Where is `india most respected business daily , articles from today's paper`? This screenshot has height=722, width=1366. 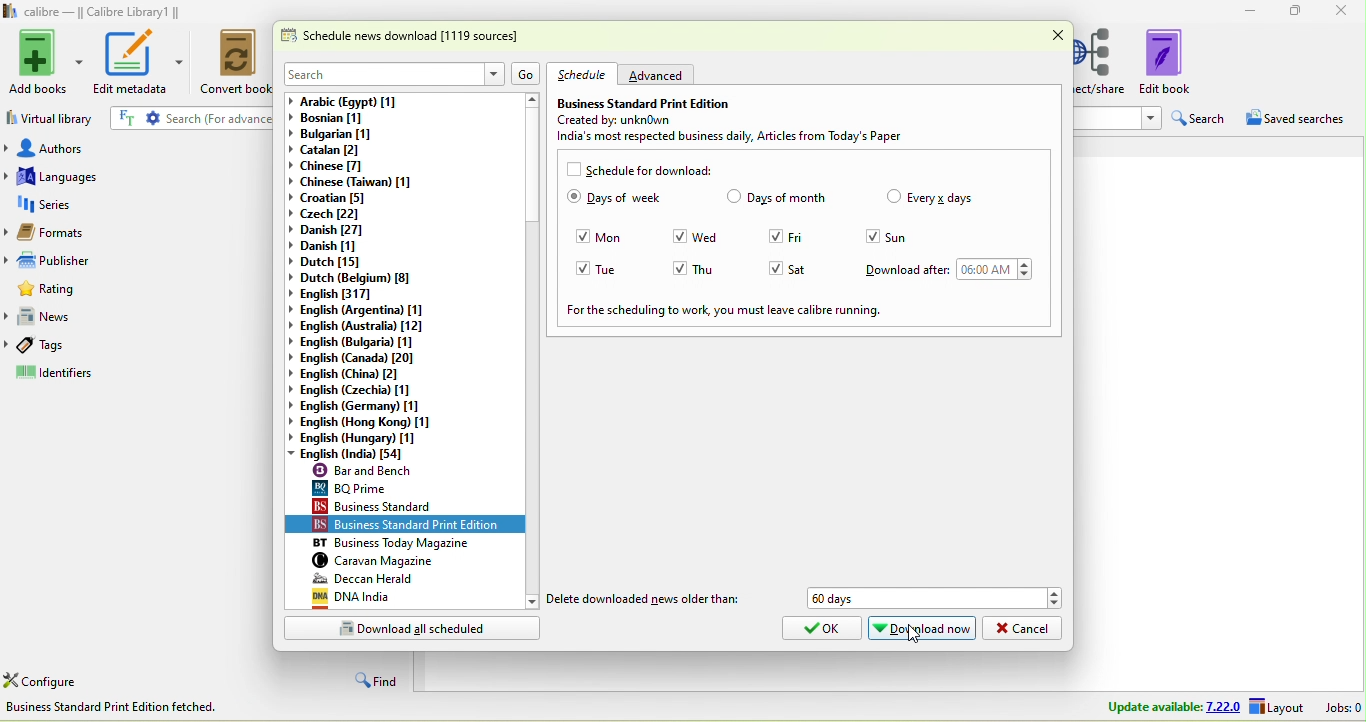
india most respected business daily , articles from today's paper is located at coordinates (745, 138).